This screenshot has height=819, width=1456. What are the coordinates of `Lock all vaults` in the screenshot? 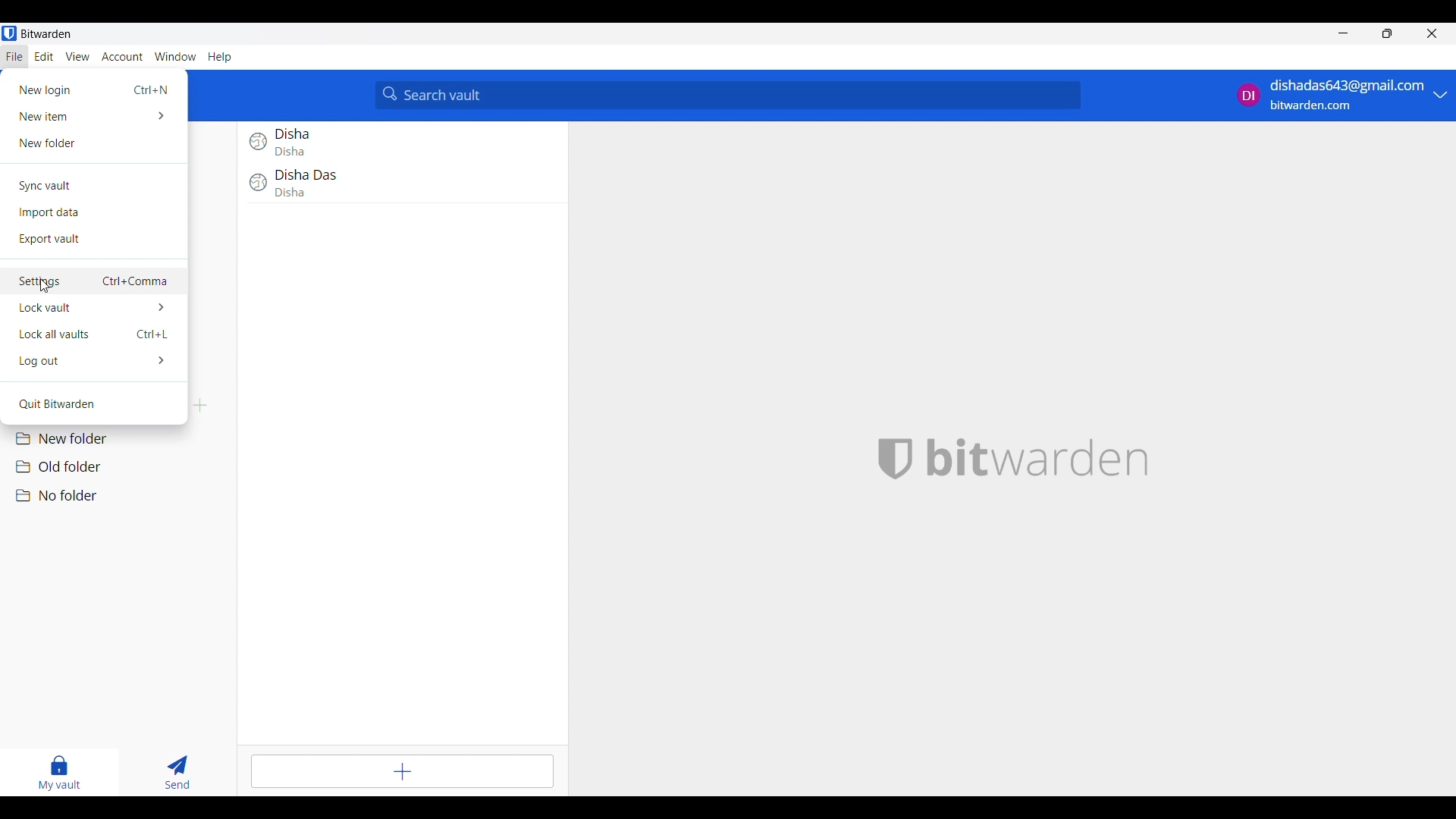 It's located at (94, 335).